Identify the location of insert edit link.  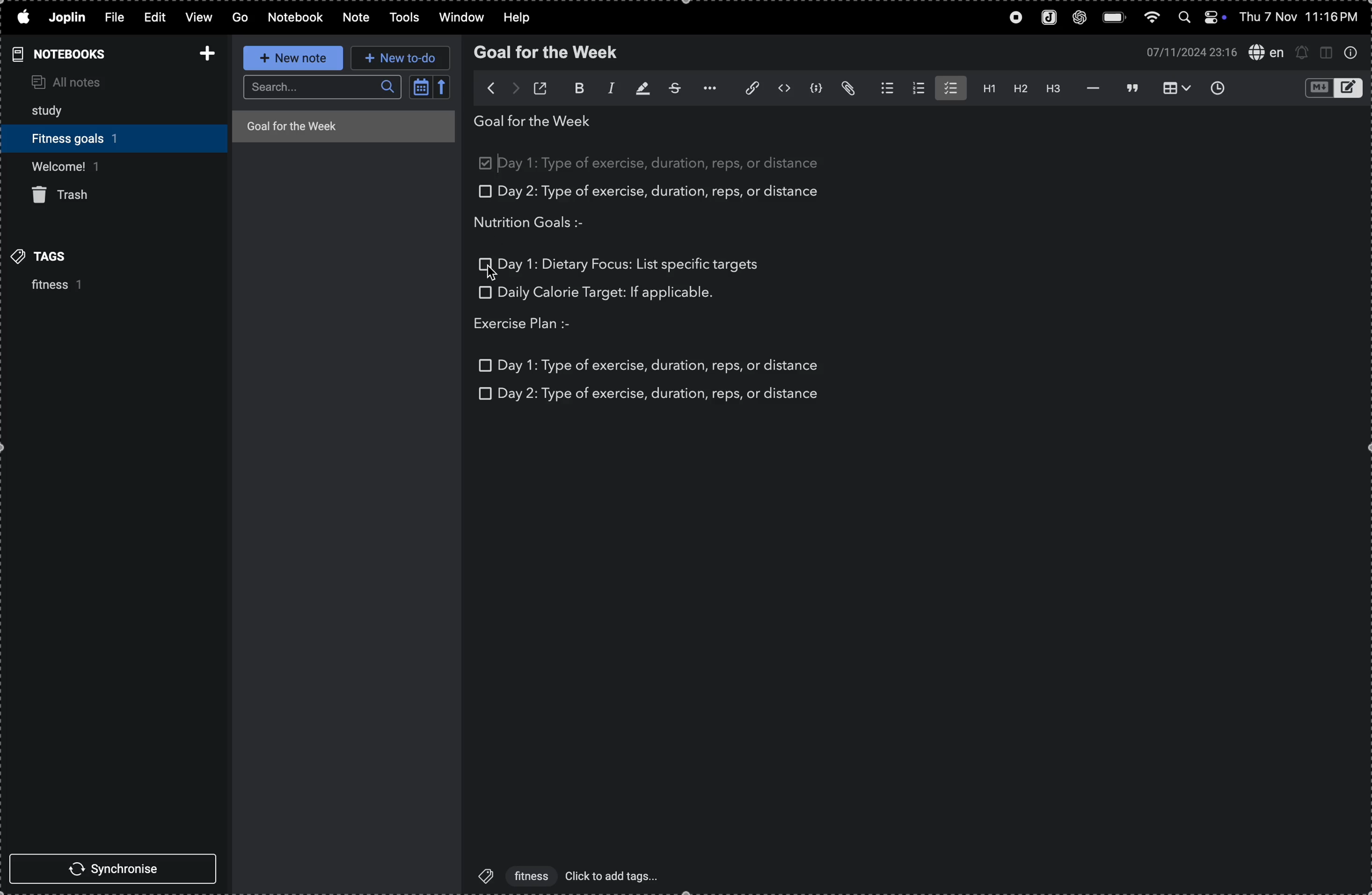
(745, 88).